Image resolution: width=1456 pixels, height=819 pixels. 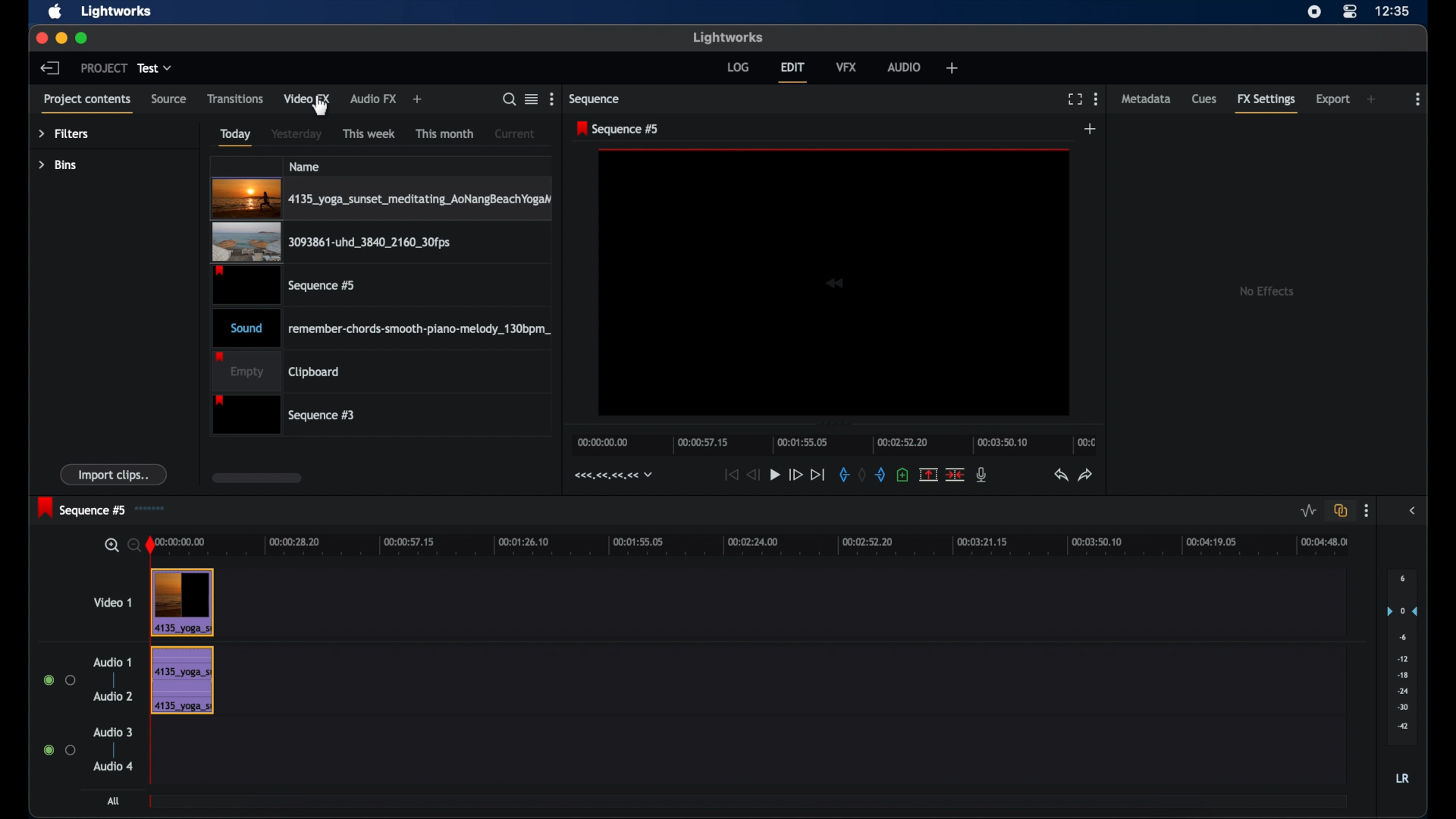 I want to click on export, so click(x=1332, y=99).